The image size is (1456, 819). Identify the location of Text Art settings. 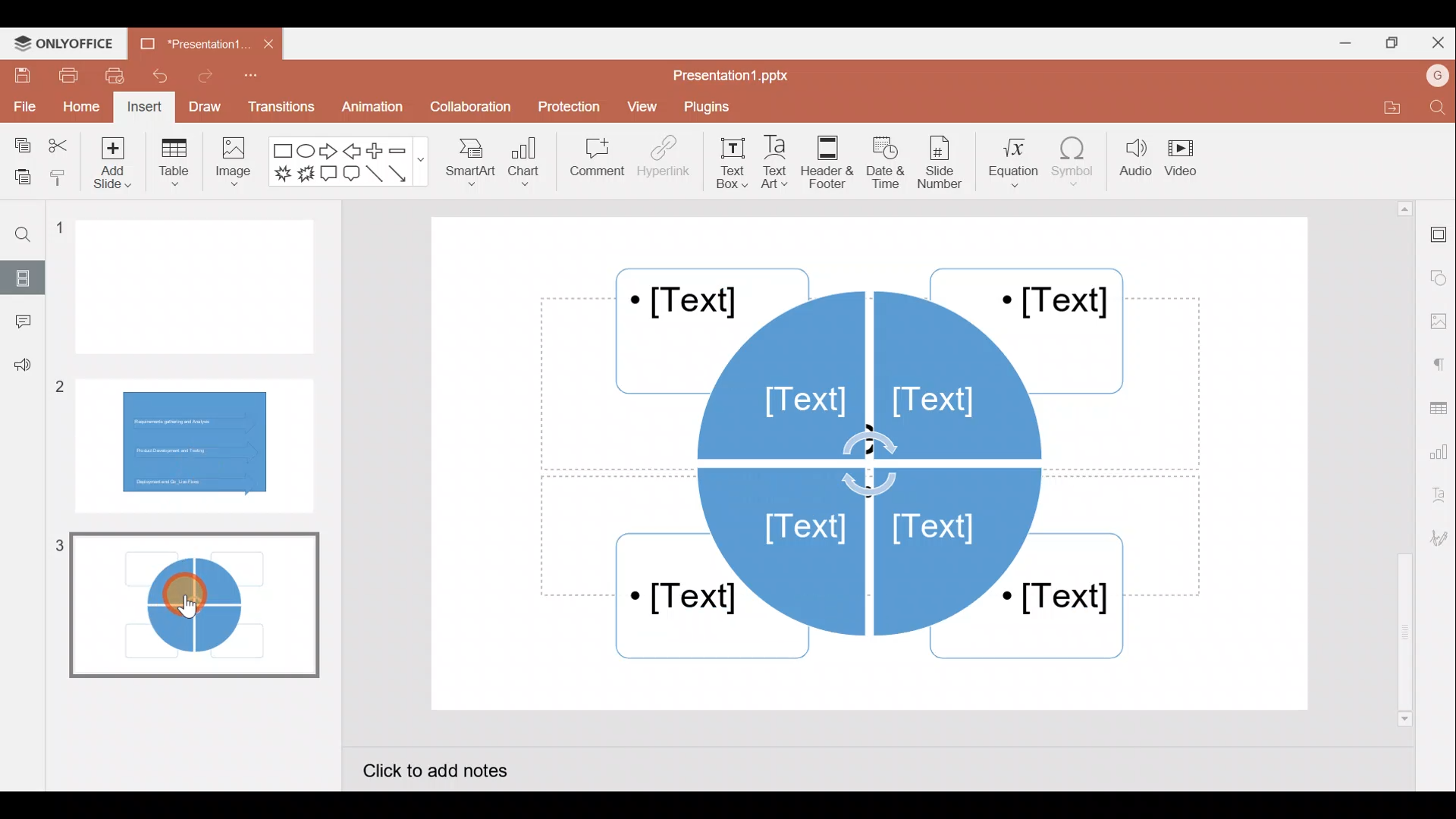
(1437, 500).